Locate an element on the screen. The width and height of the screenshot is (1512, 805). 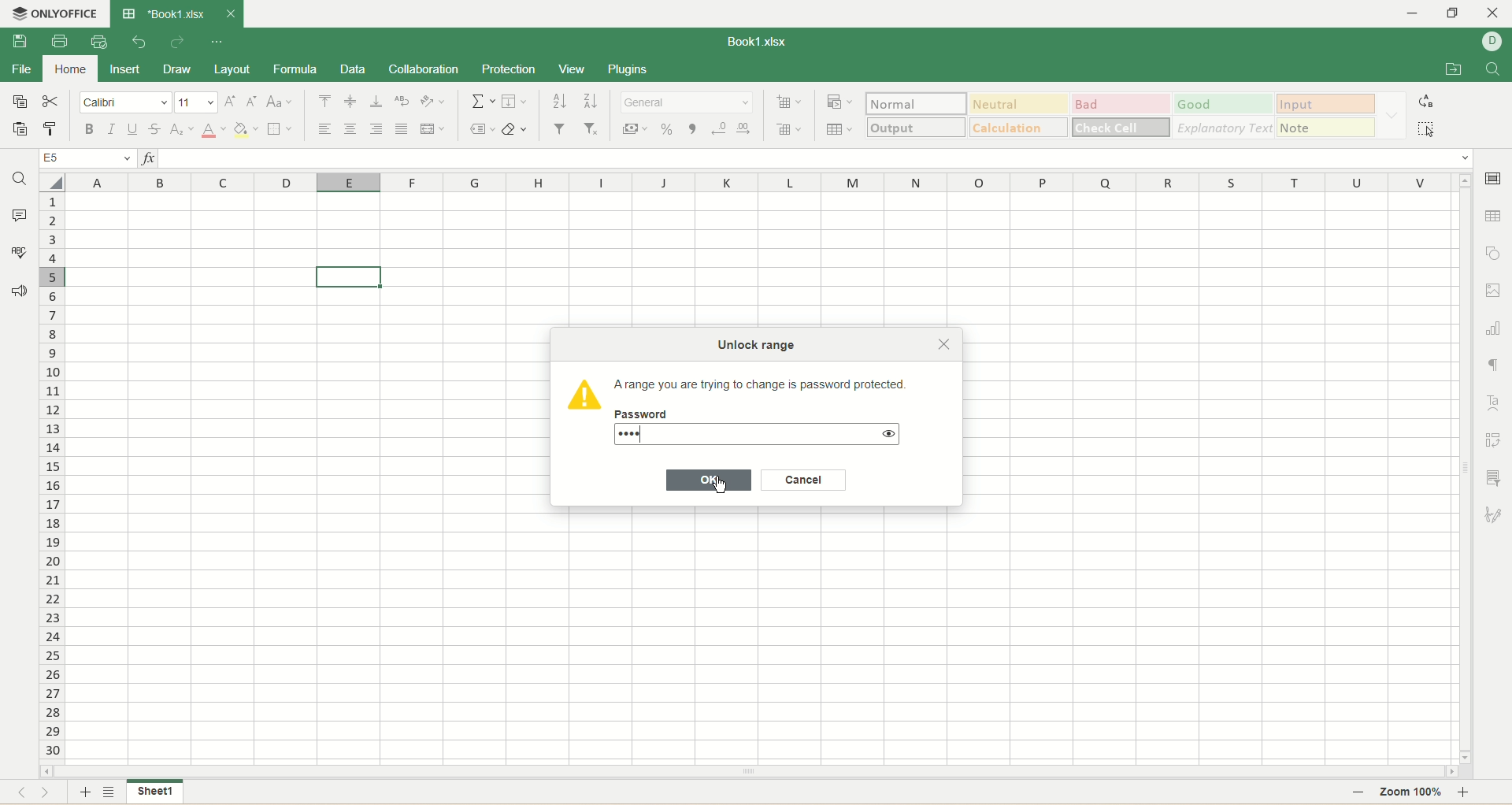
remove filter is located at coordinates (594, 128).